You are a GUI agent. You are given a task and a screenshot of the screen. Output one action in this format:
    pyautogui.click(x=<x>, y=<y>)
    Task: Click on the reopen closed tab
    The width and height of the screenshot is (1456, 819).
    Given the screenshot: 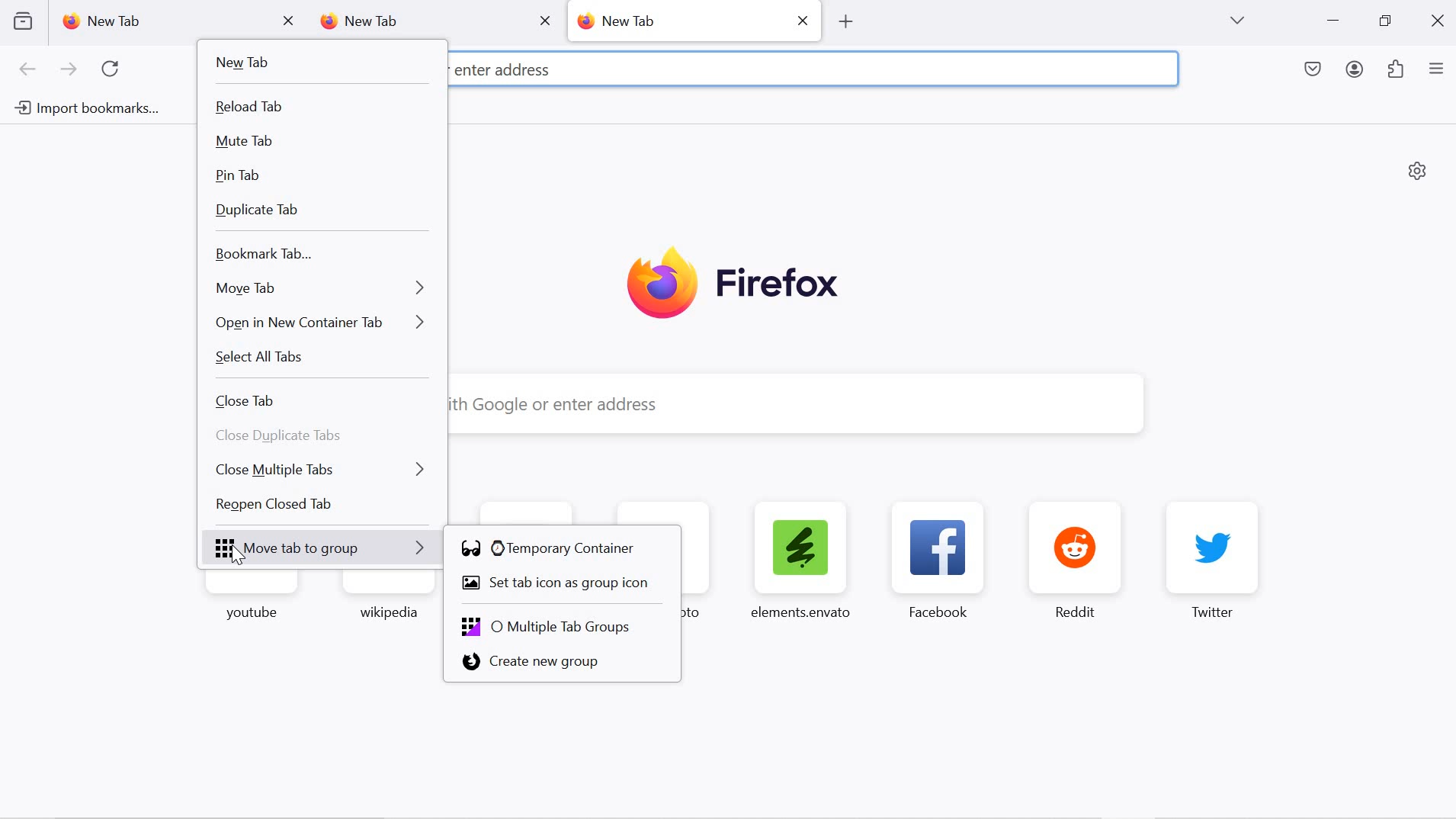 What is the action you would take?
    pyautogui.click(x=324, y=507)
    